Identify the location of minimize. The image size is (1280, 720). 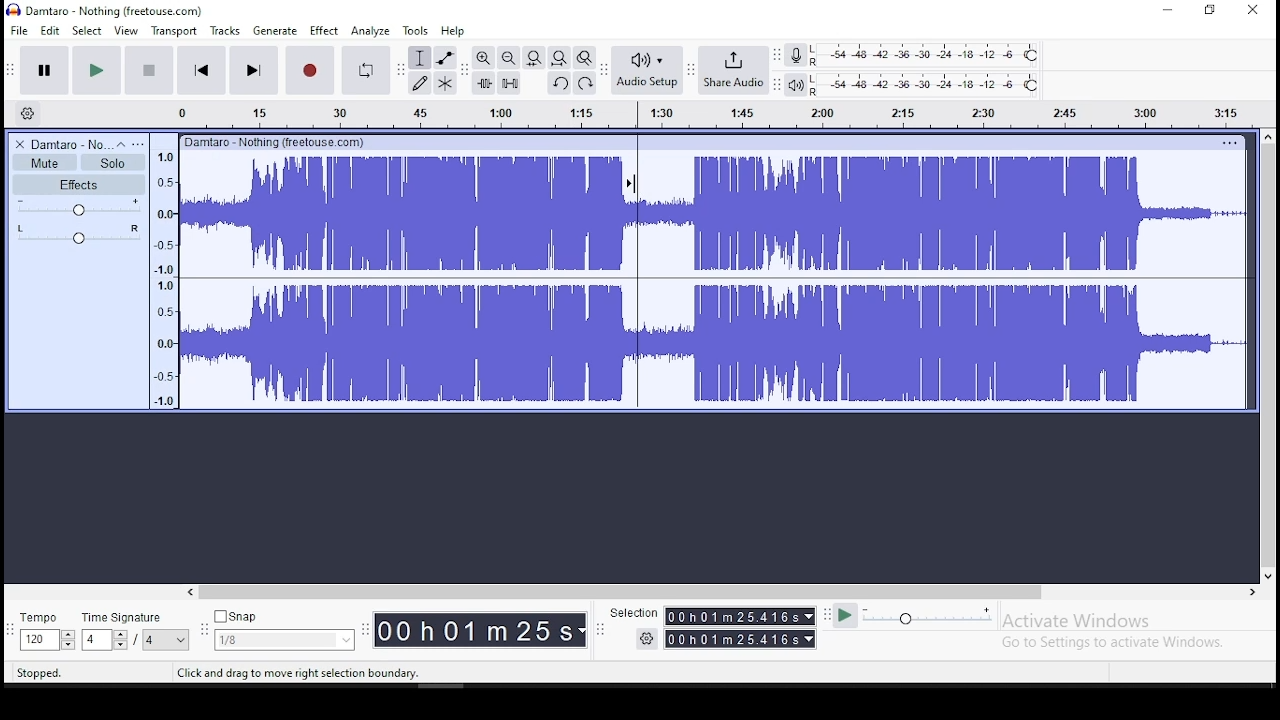
(1168, 10).